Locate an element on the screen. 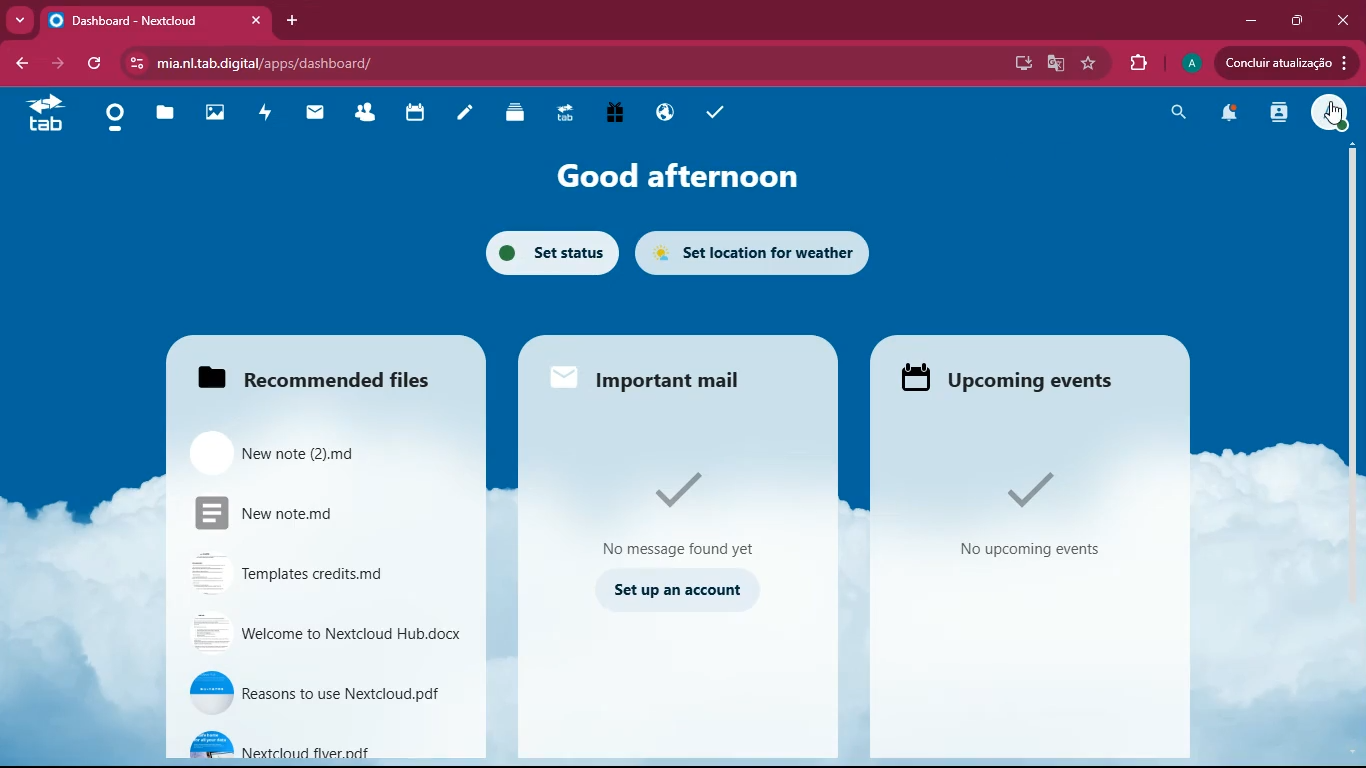 The height and width of the screenshot is (768, 1366). events is located at coordinates (1019, 377).